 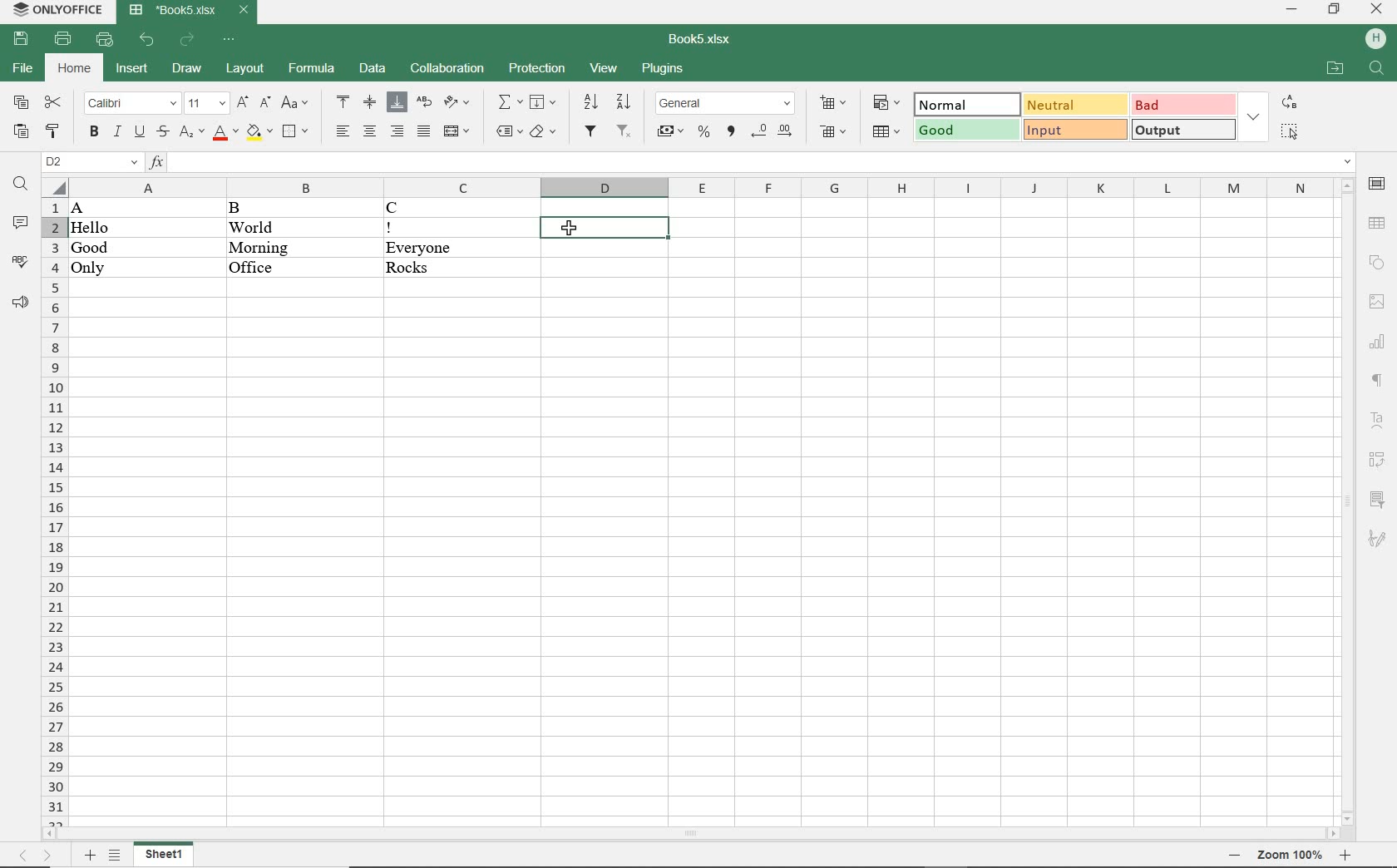 What do you see at coordinates (1377, 382) in the screenshot?
I see `PARAGRAPH SETTINGS` at bounding box center [1377, 382].